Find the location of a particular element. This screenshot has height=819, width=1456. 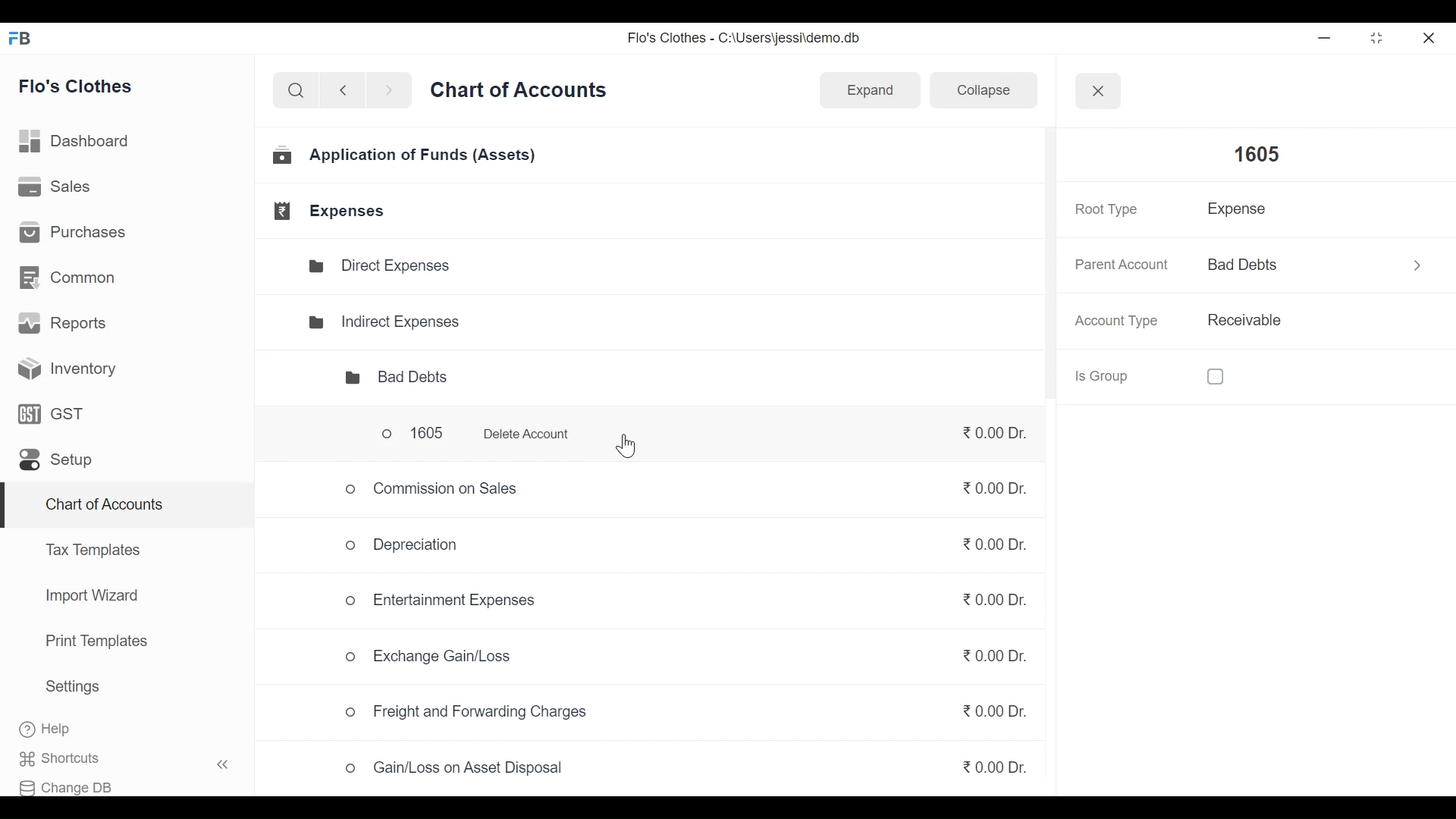

o Freight and Forwarding Charges is located at coordinates (470, 713).